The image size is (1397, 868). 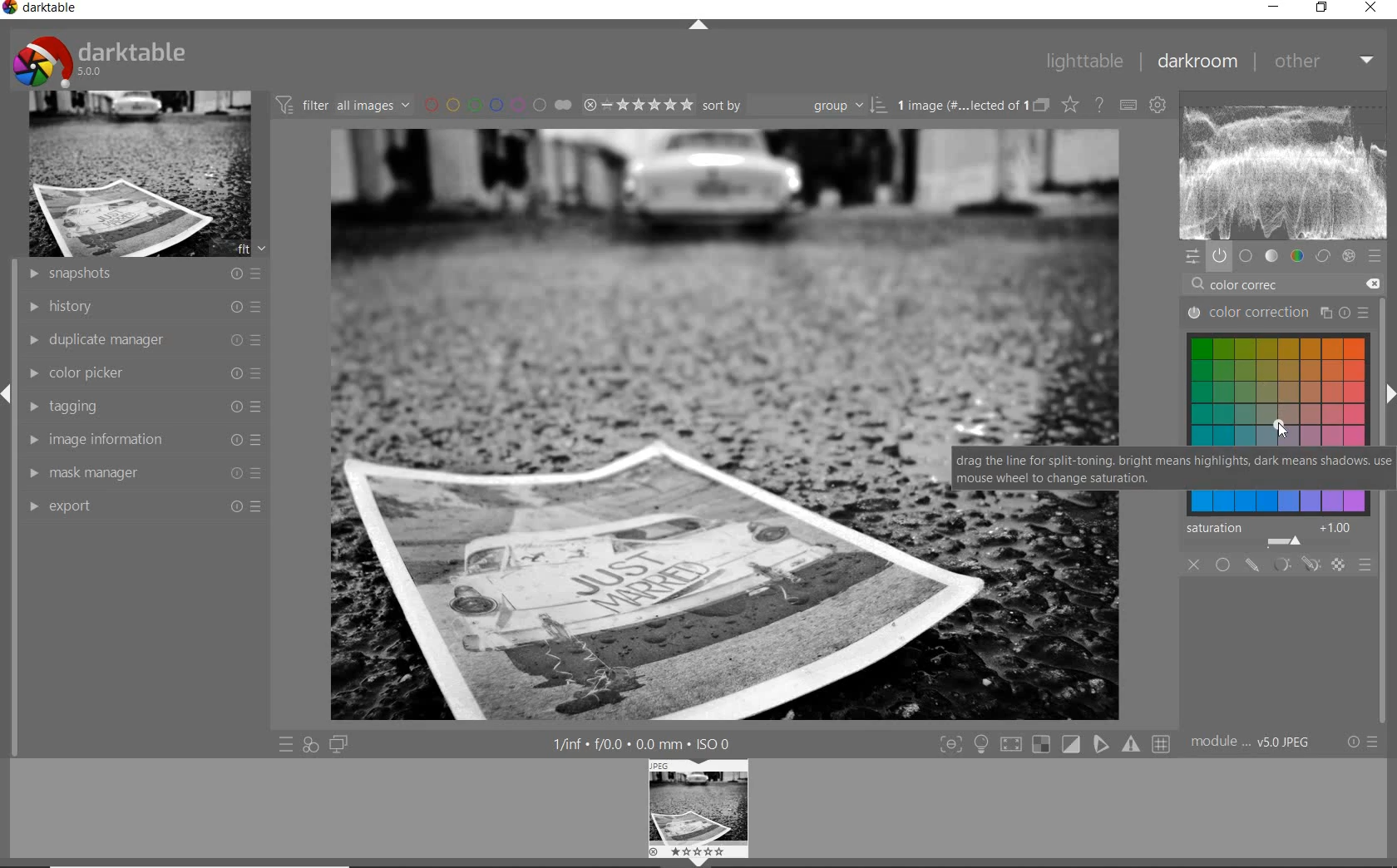 What do you see at coordinates (795, 105) in the screenshot?
I see `sort` at bounding box center [795, 105].